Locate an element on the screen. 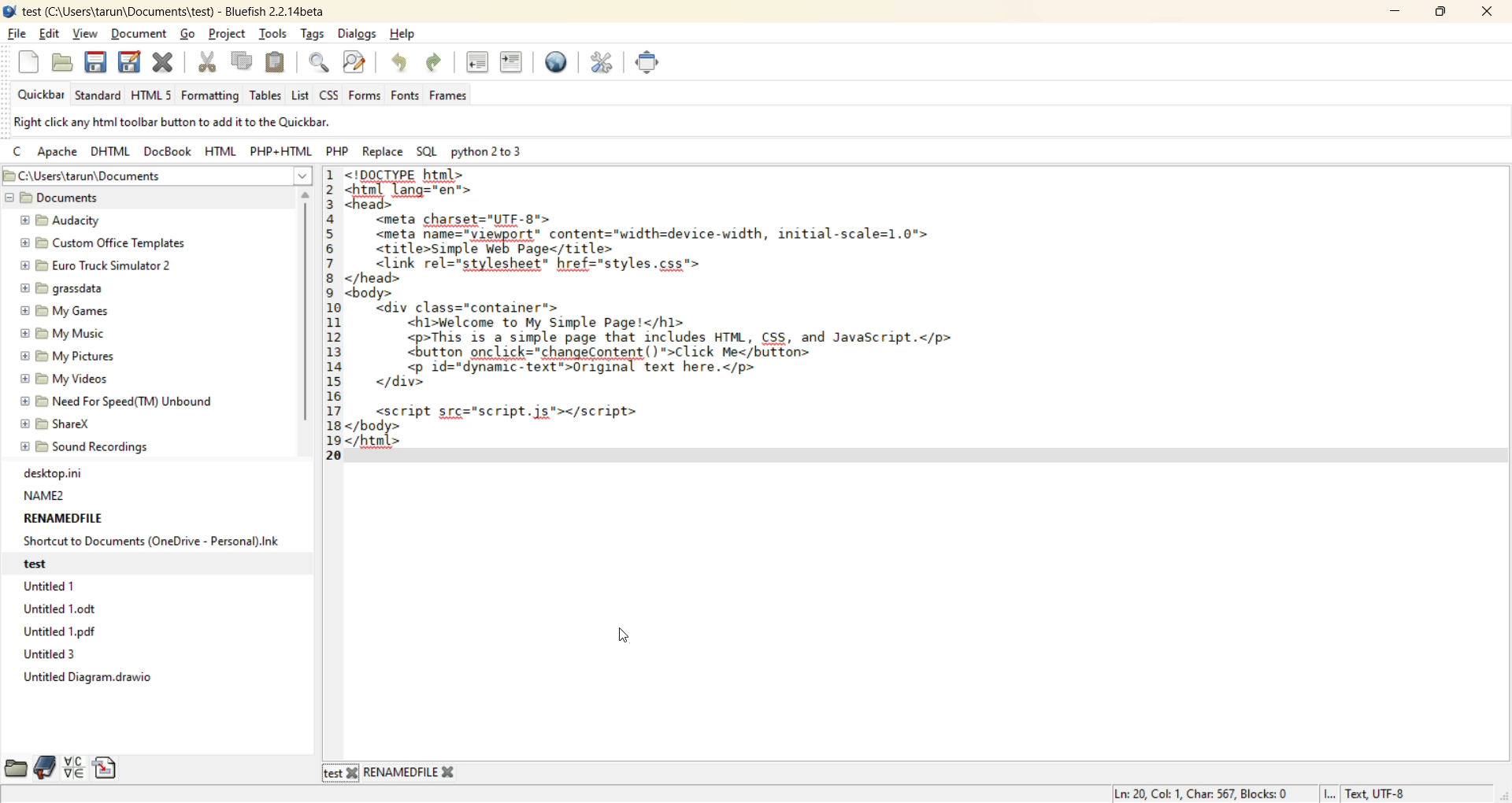 This screenshot has width=1512, height=803. c is located at coordinates (19, 153).